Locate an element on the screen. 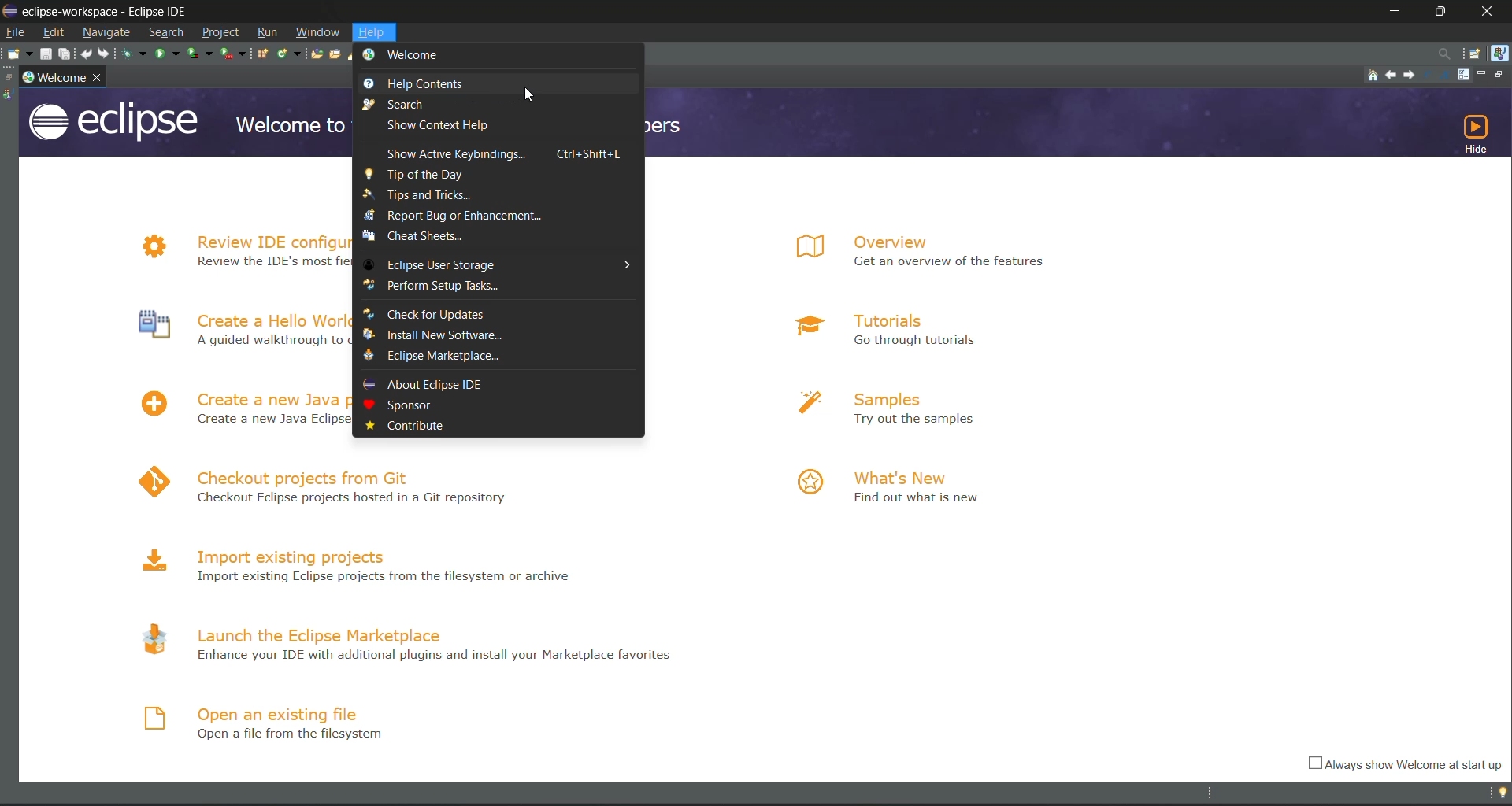 Image resolution: width=1512 pixels, height=806 pixels. samples is located at coordinates (884, 397).